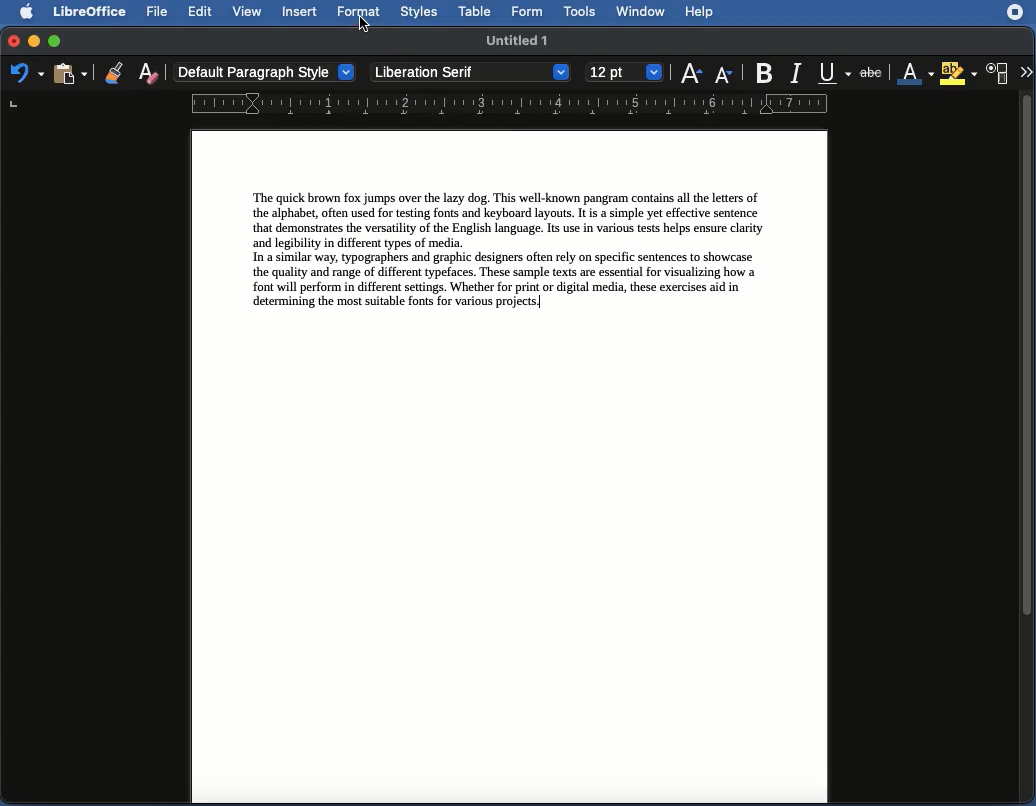 The image size is (1036, 806). Describe the element at coordinates (998, 74) in the screenshot. I see `Character` at that location.